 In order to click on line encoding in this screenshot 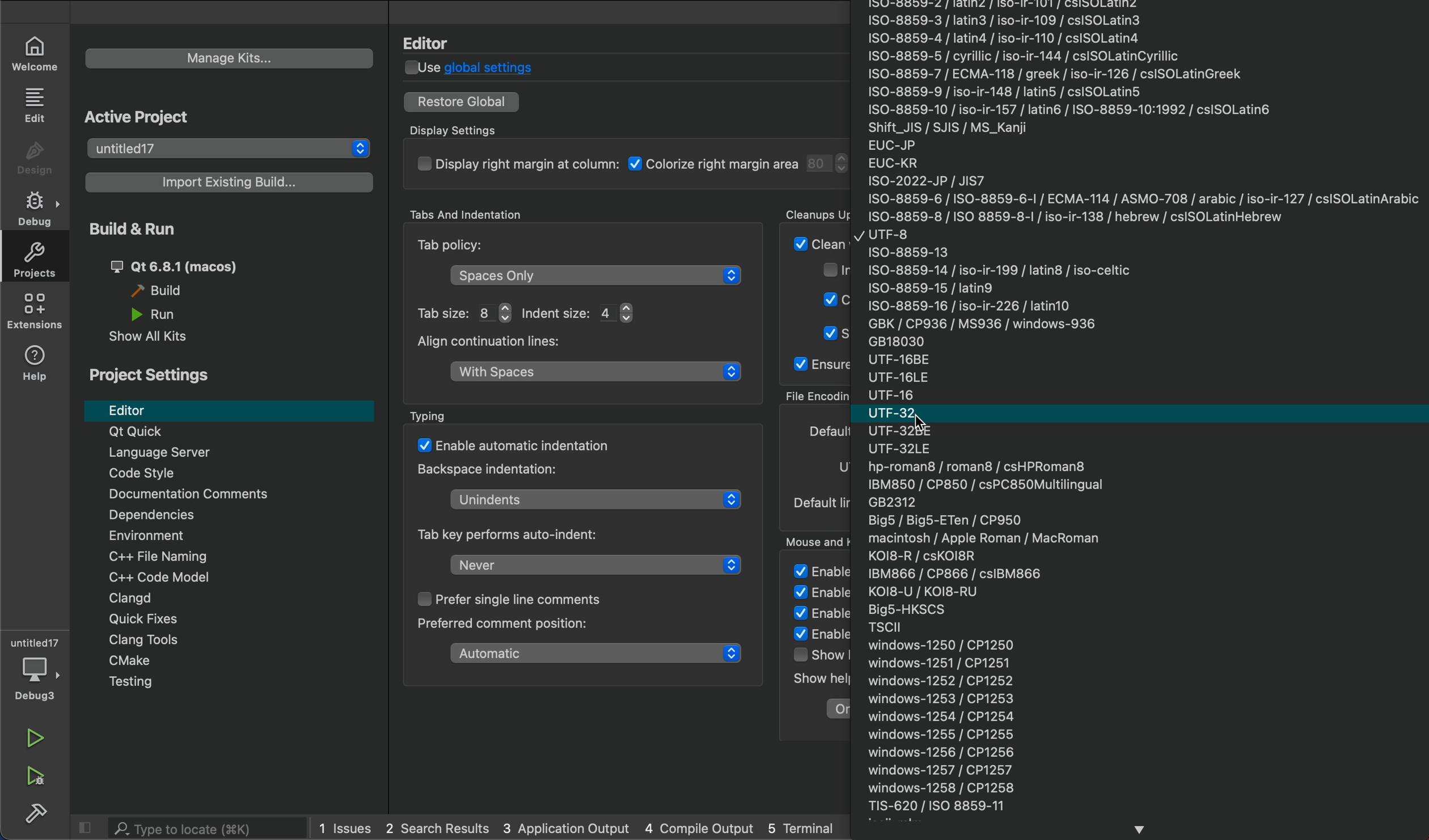, I will do `click(823, 502)`.